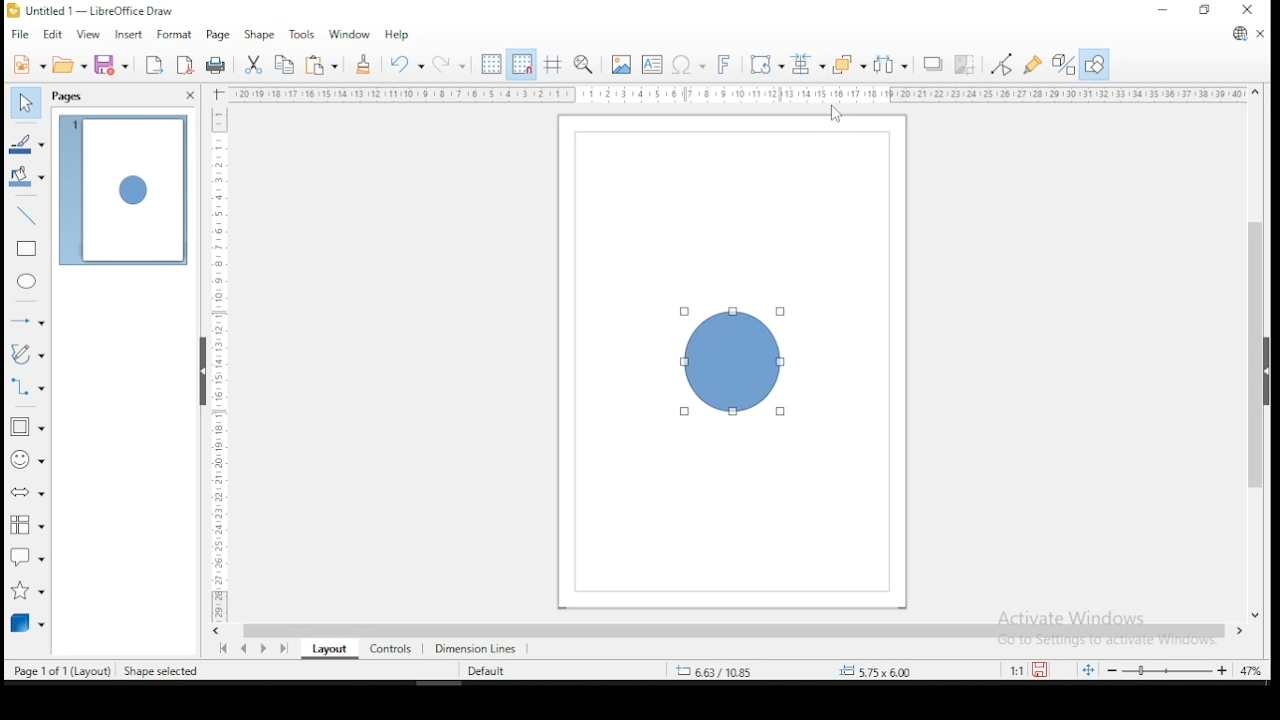 The height and width of the screenshot is (720, 1280). What do you see at coordinates (28, 320) in the screenshot?
I see `lines and arrows` at bounding box center [28, 320].